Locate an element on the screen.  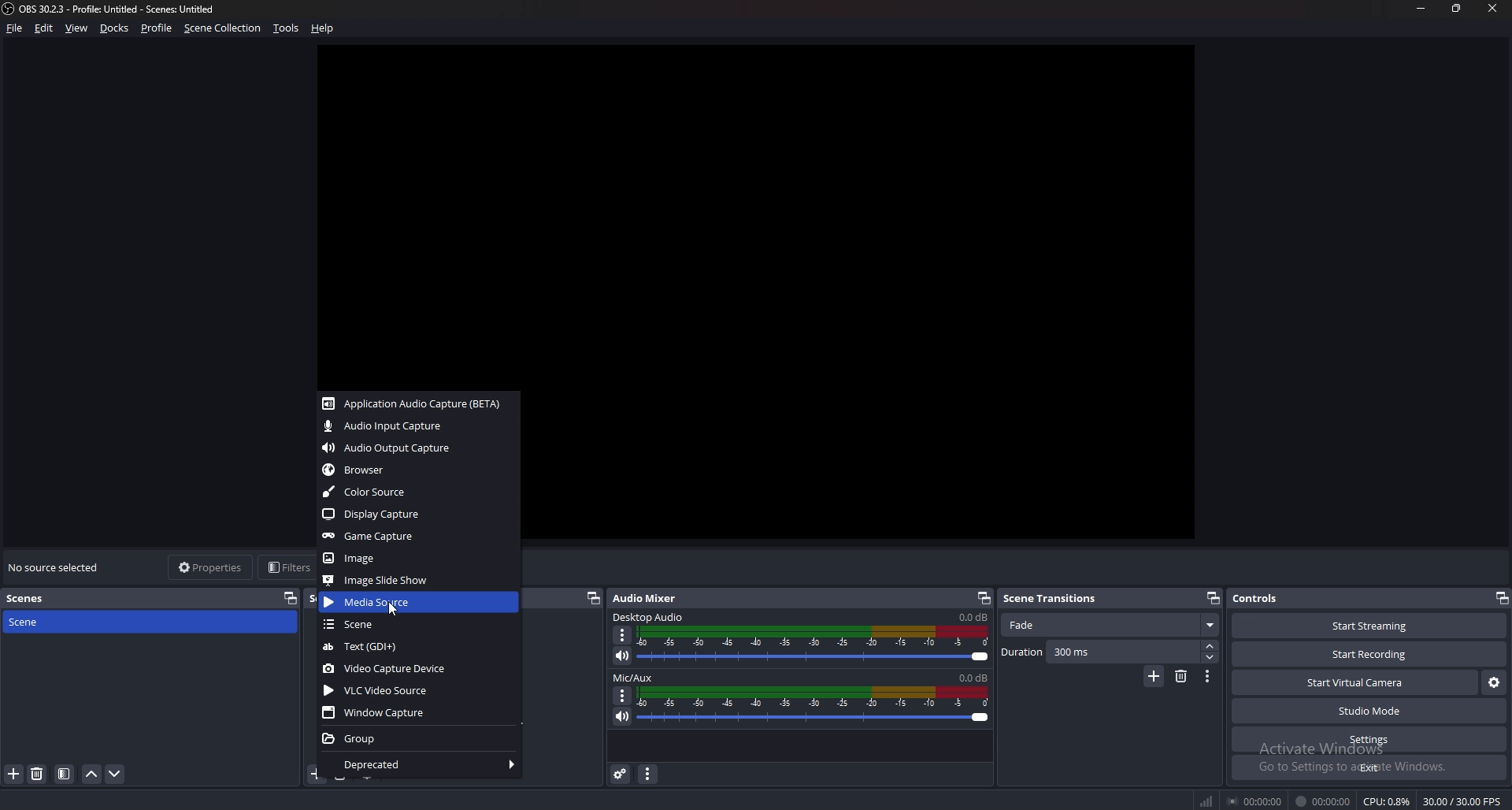
Desktop audio is located at coordinates (650, 616).